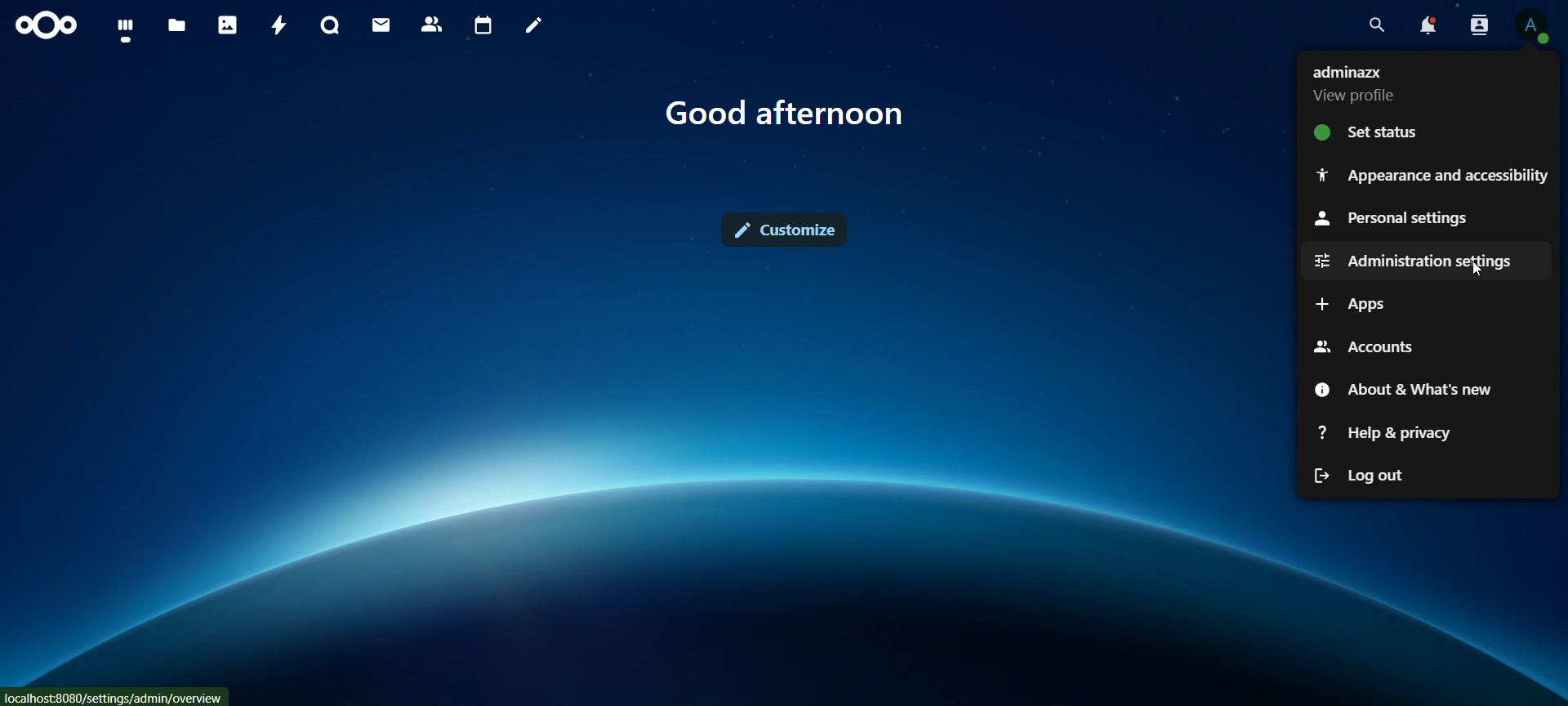  Describe the element at coordinates (1367, 347) in the screenshot. I see `accounts` at that location.